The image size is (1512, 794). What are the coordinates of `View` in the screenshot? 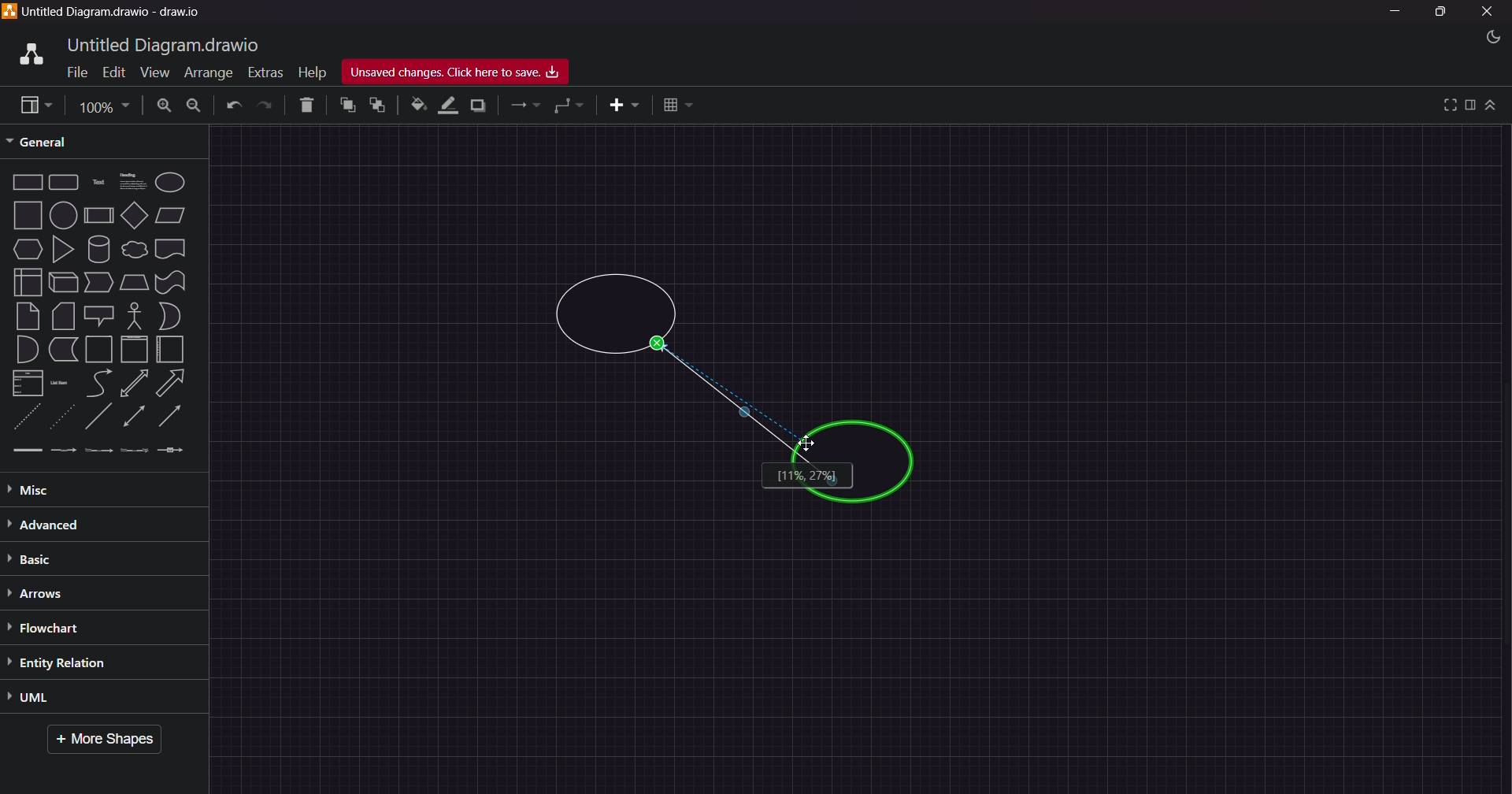 It's located at (148, 72).